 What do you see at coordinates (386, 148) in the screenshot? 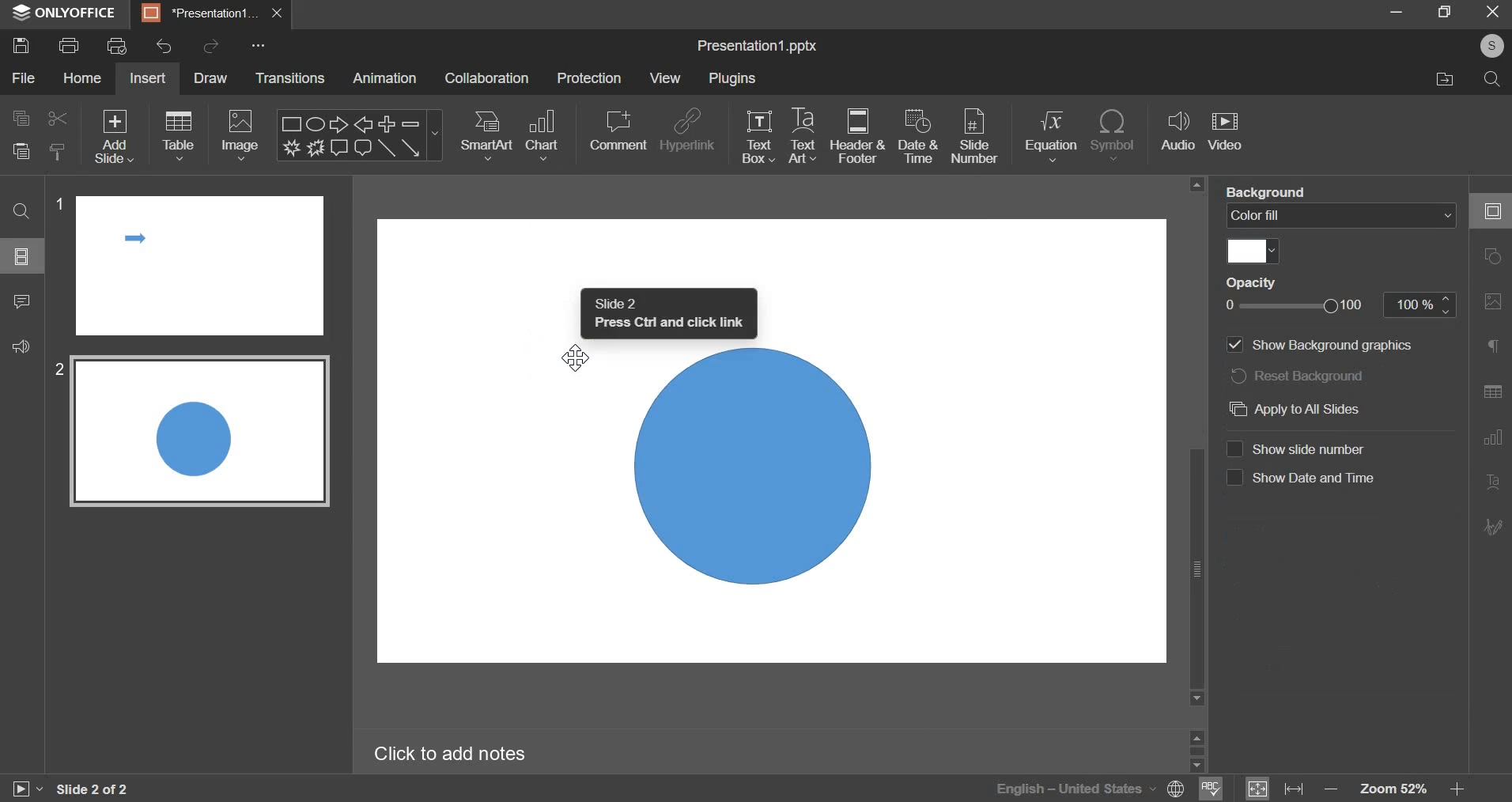
I see `Line` at bounding box center [386, 148].